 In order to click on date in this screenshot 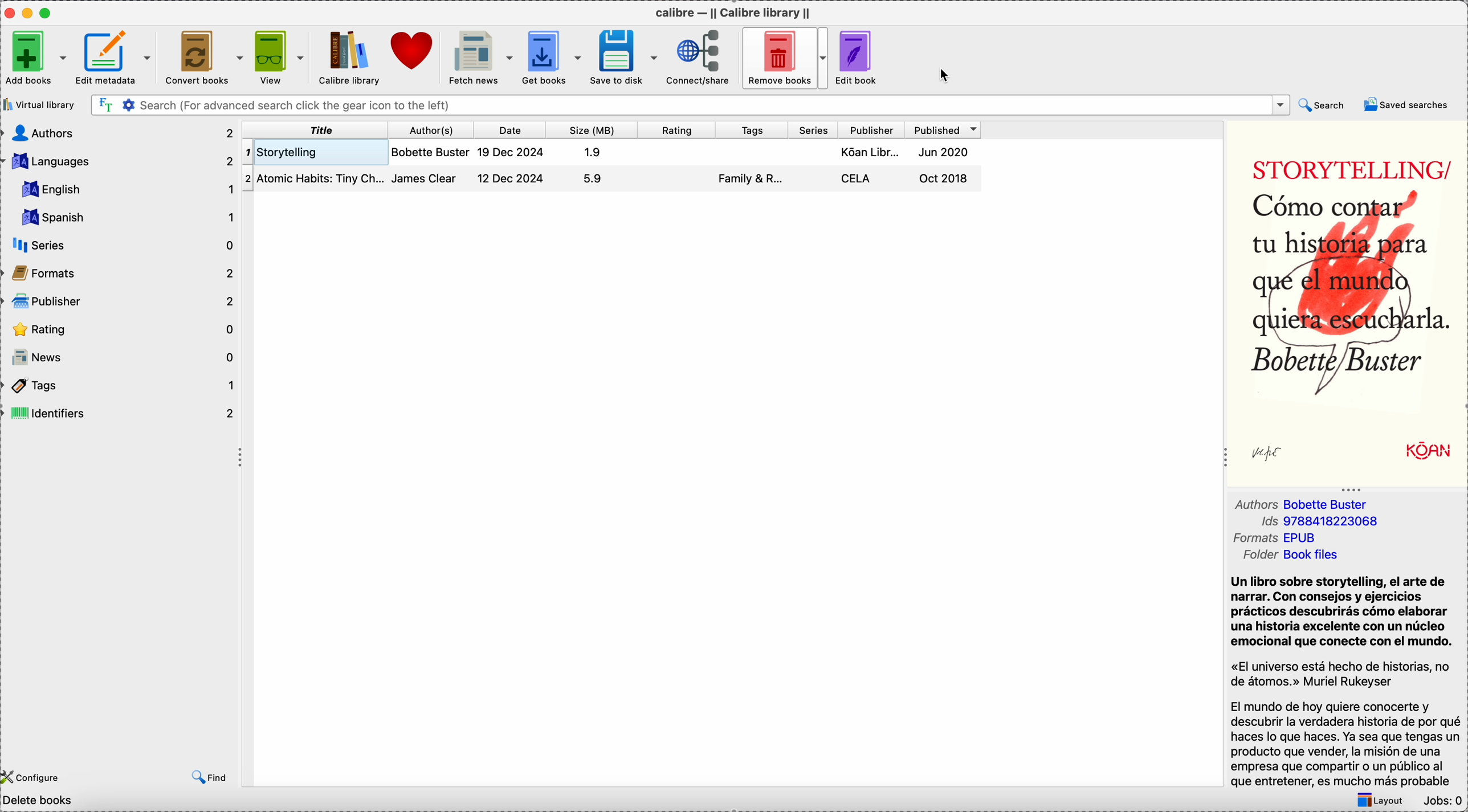, I will do `click(511, 130)`.